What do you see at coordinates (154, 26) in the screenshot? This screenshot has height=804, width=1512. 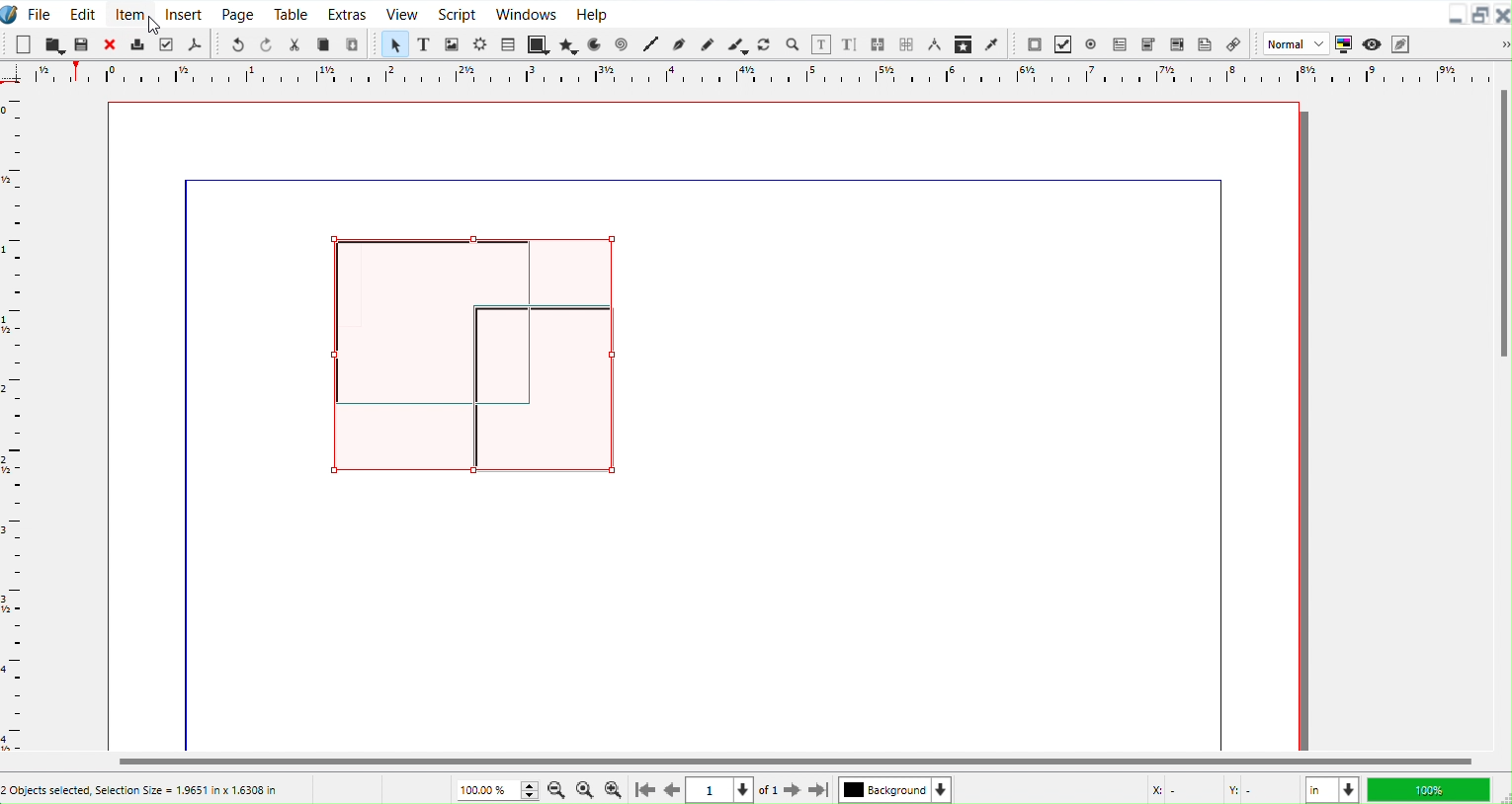 I see `Cursor` at bounding box center [154, 26].